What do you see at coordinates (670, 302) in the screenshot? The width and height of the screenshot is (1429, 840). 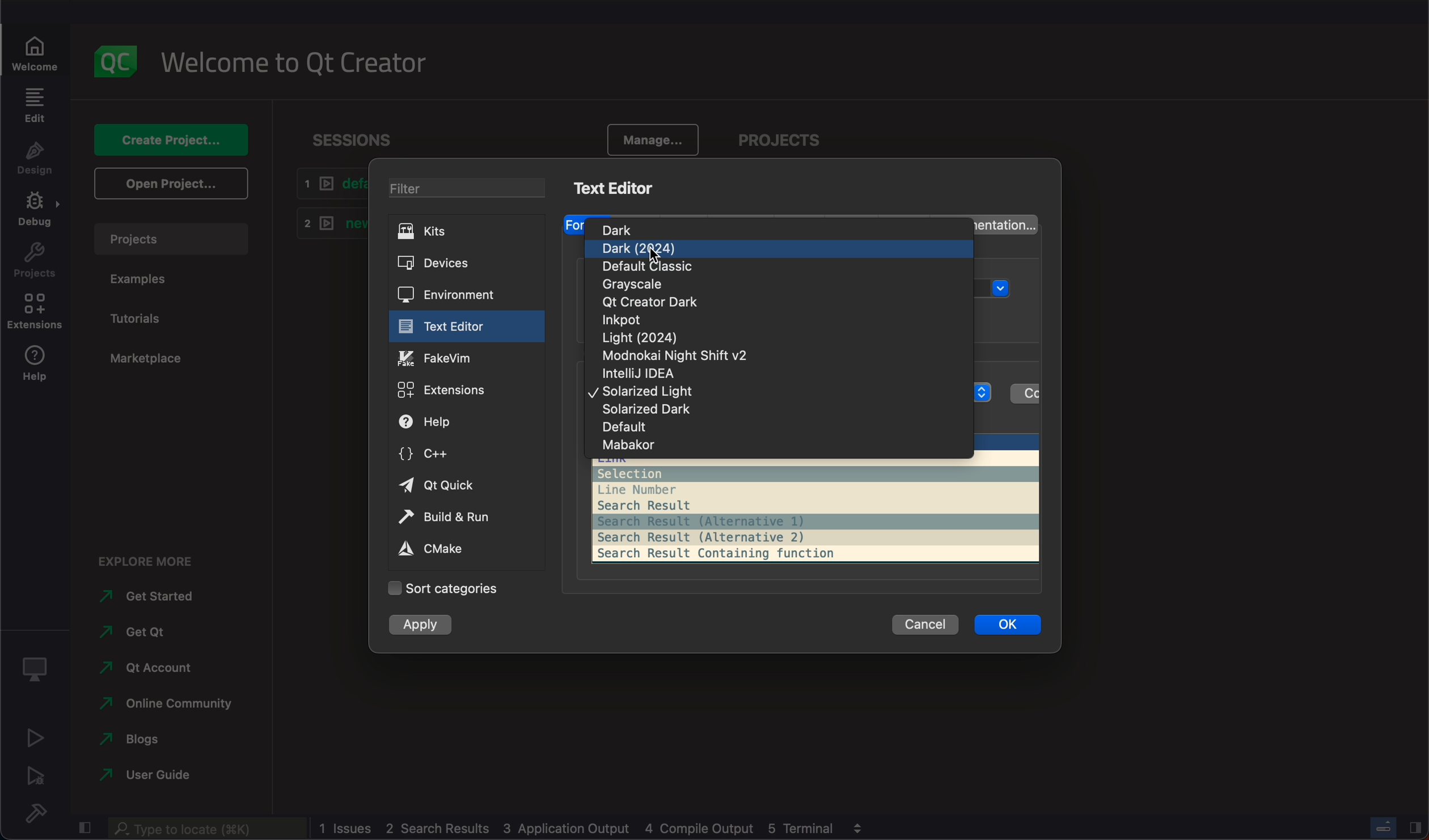 I see `qt dark` at bounding box center [670, 302].